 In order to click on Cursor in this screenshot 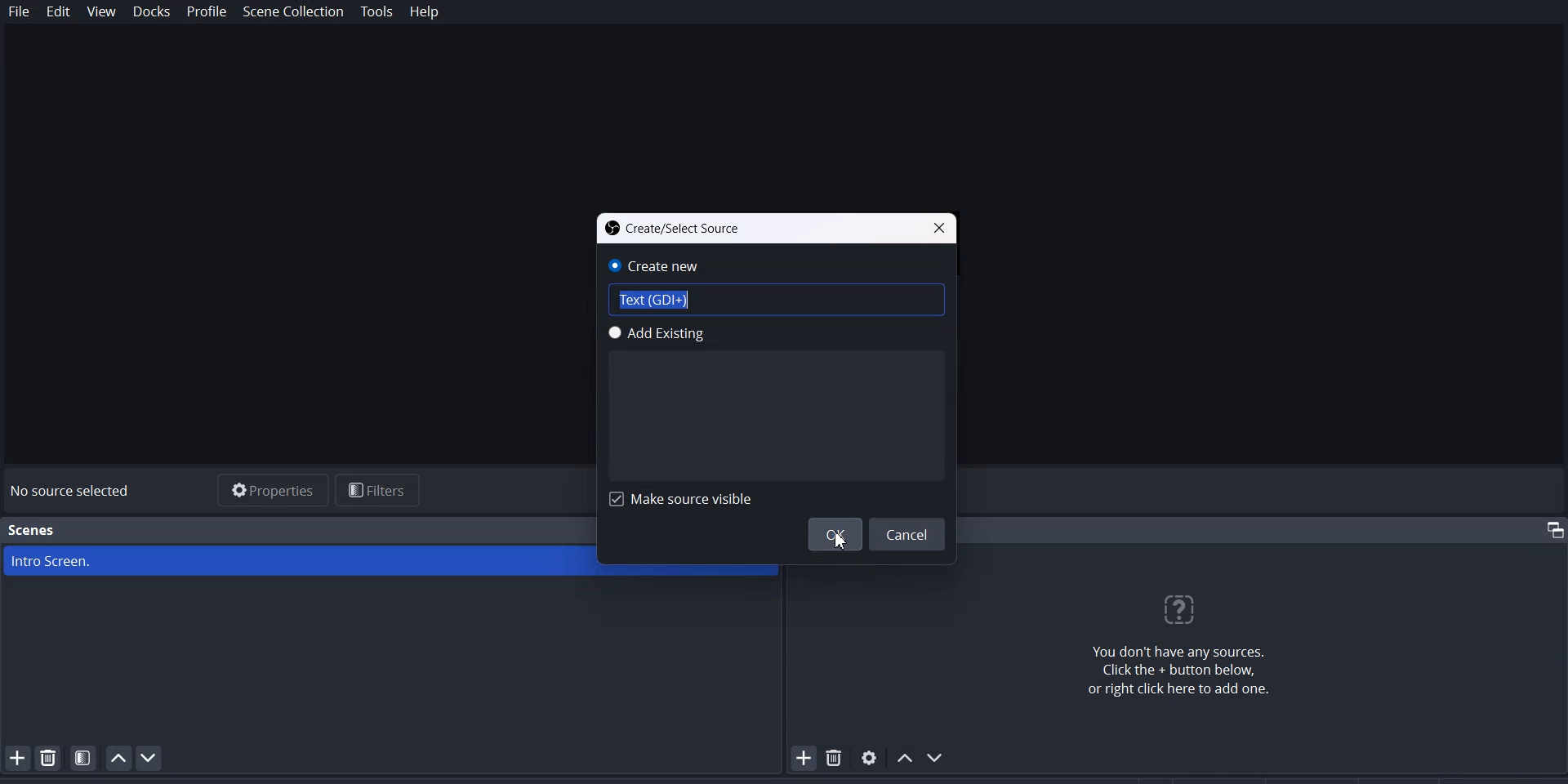, I will do `click(837, 539)`.